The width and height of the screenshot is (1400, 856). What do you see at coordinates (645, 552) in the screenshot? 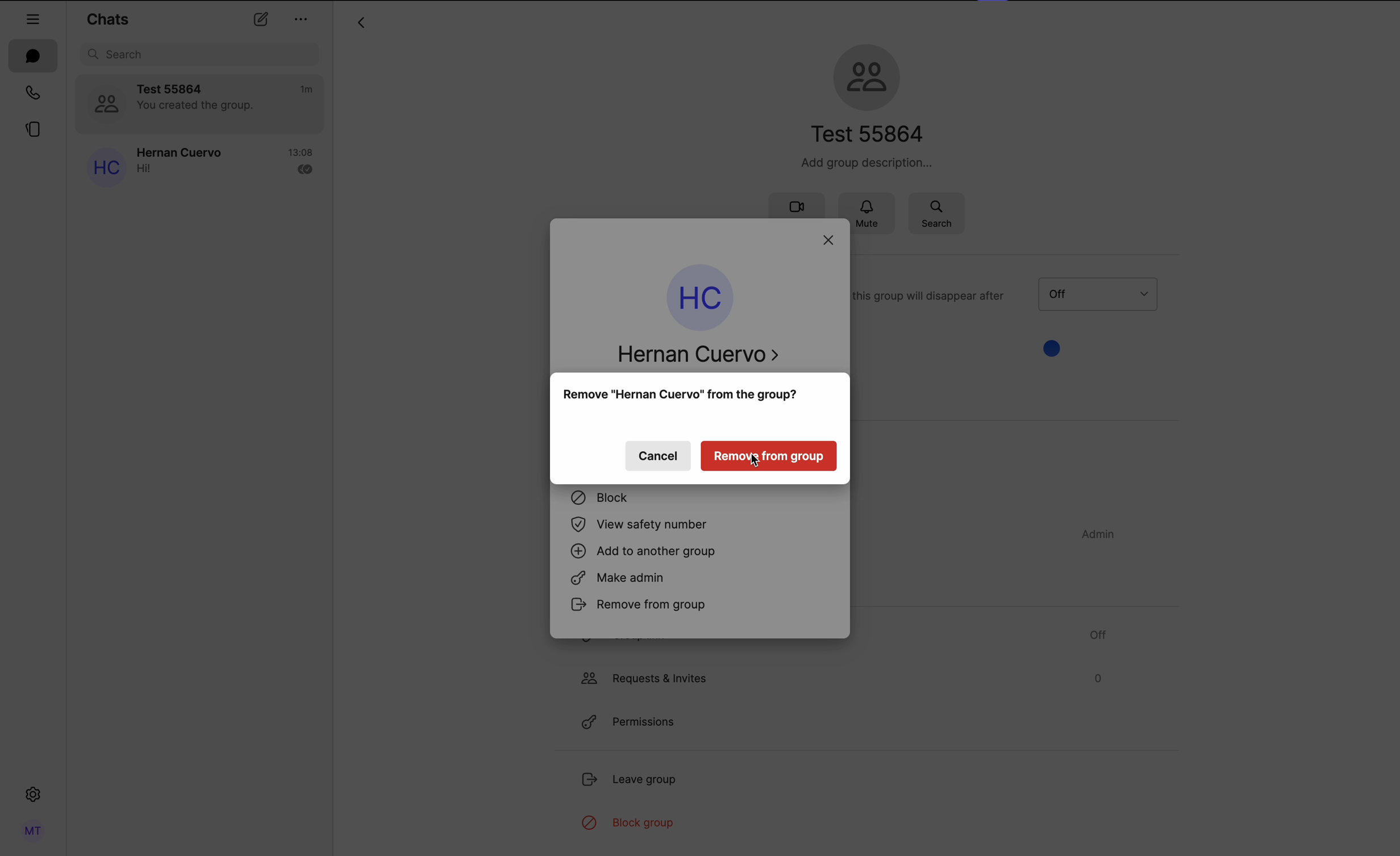
I see `add to another group` at bounding box center [645, 552].